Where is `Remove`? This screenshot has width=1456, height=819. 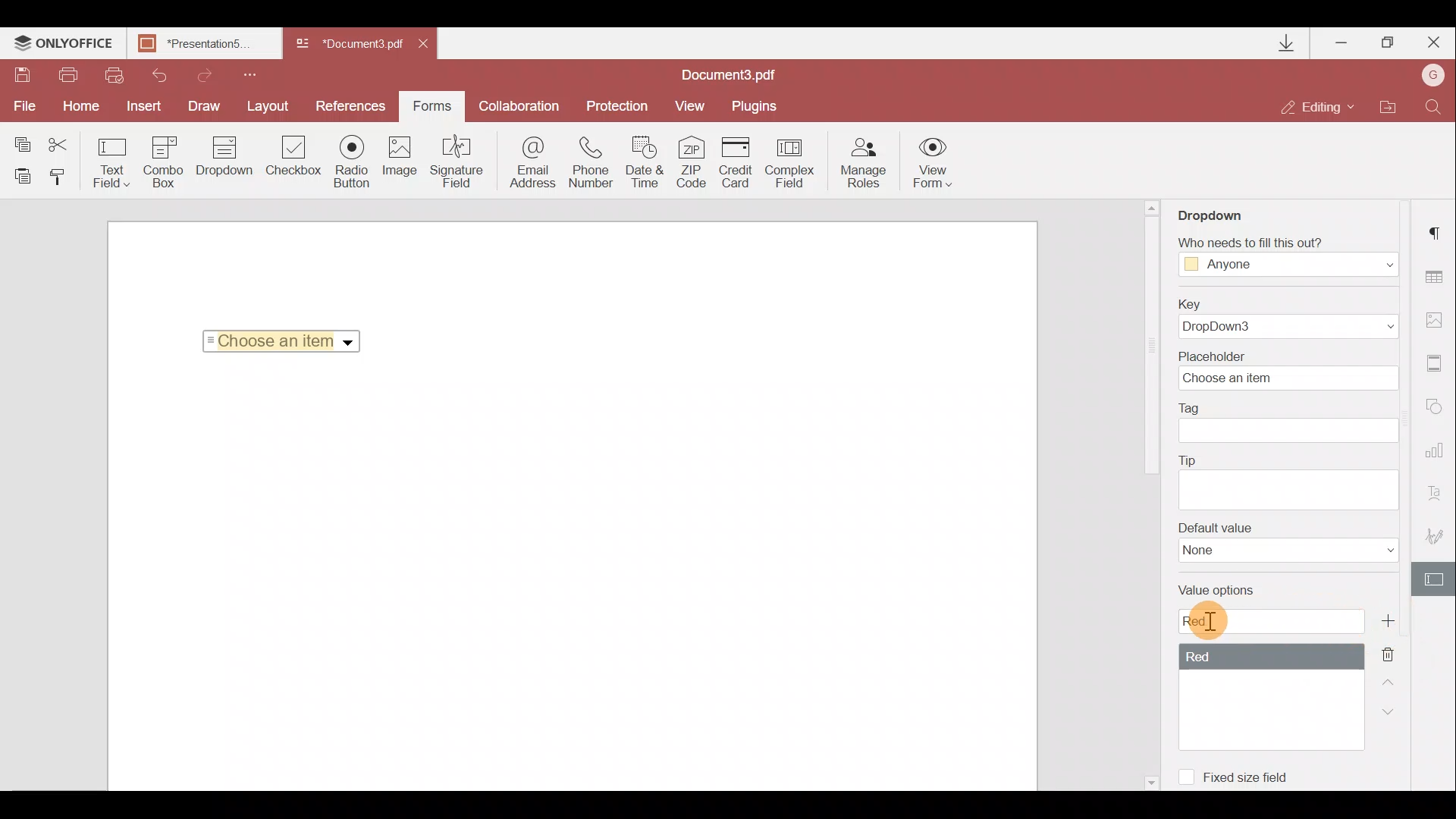
Remove is located at coordinates (1392, 650).